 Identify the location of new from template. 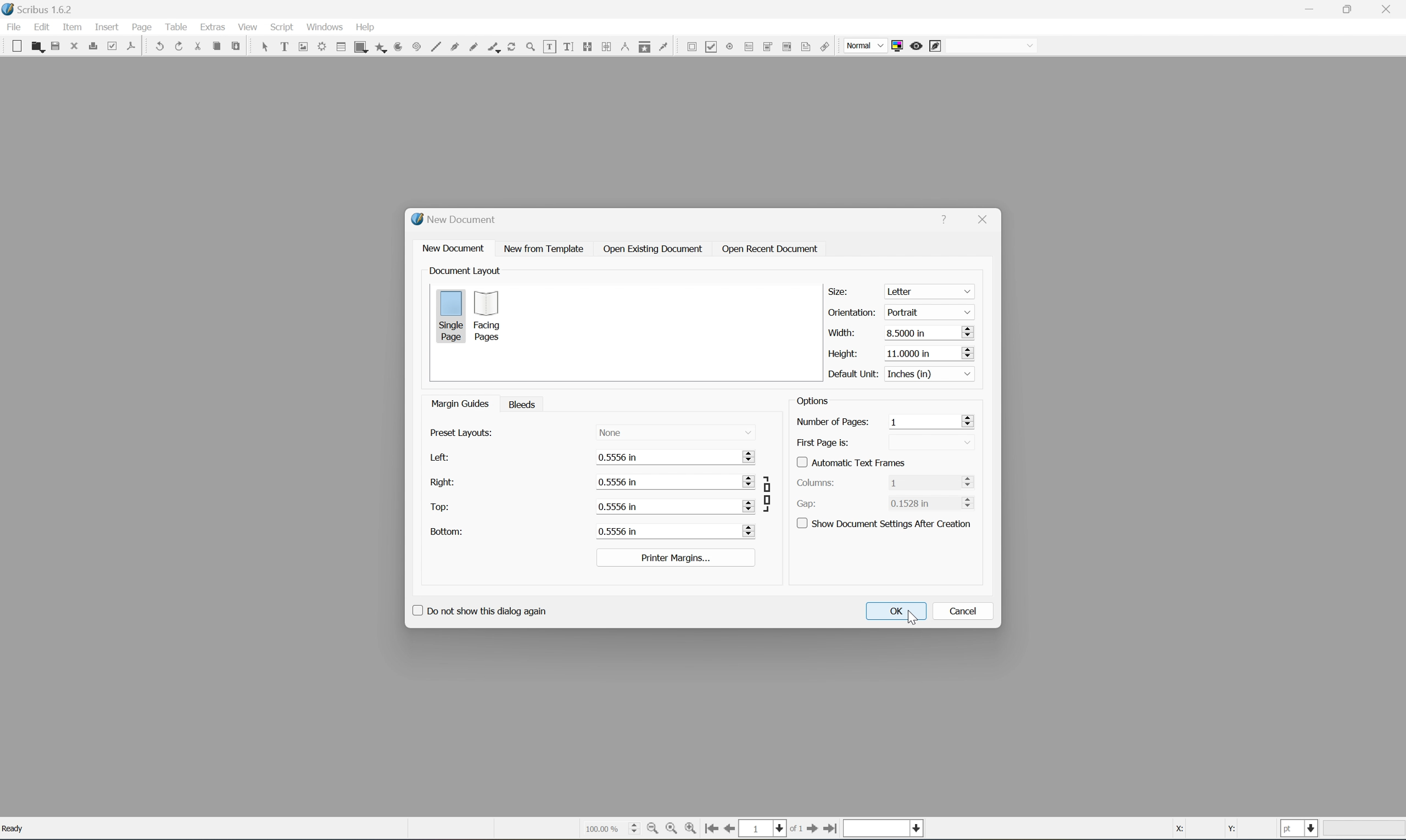
(545, 248).